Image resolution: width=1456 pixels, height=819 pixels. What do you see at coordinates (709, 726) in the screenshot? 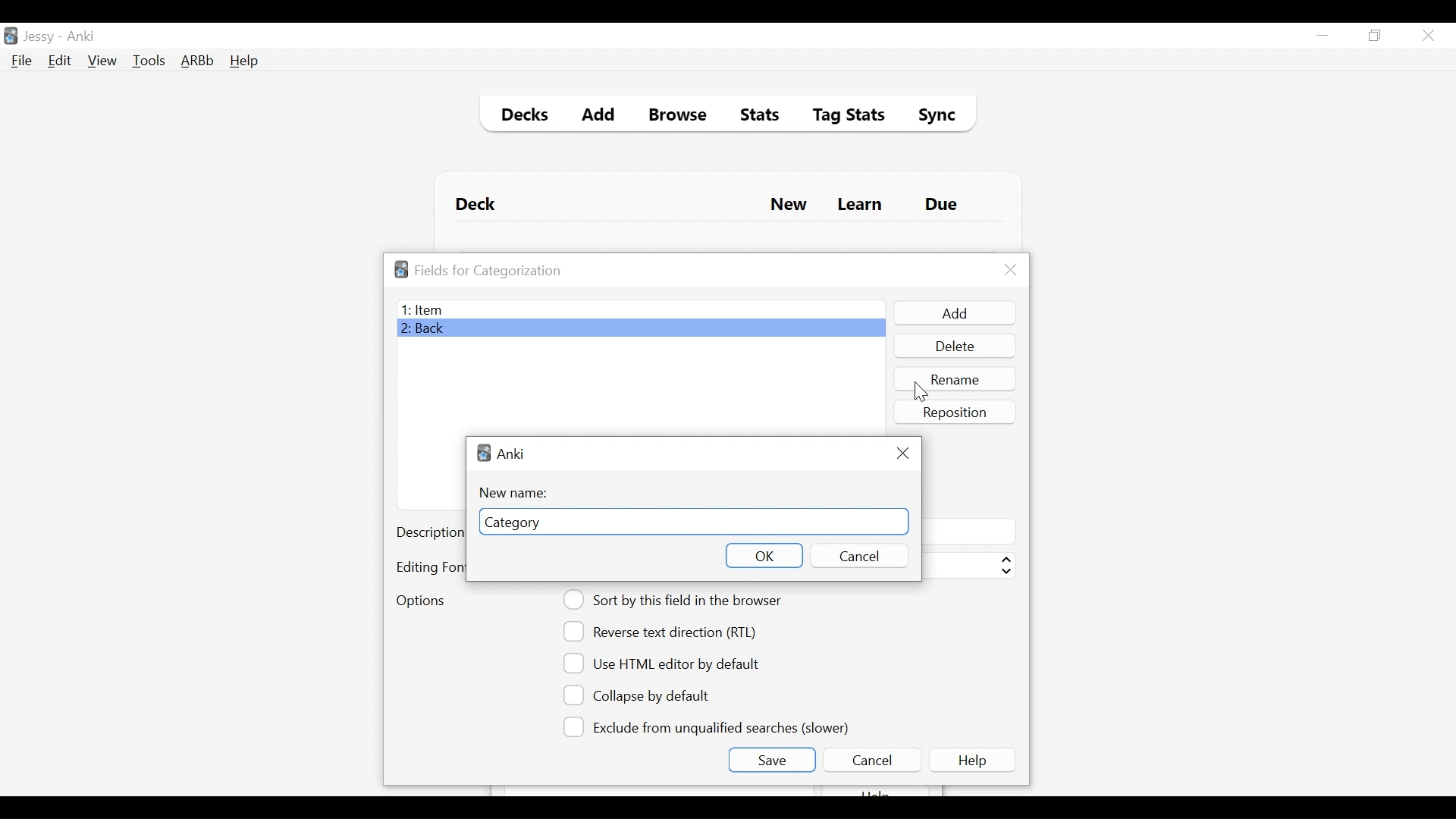
I see `(un)select Exclude from unqualified searches` at bounding box center [709, 726].